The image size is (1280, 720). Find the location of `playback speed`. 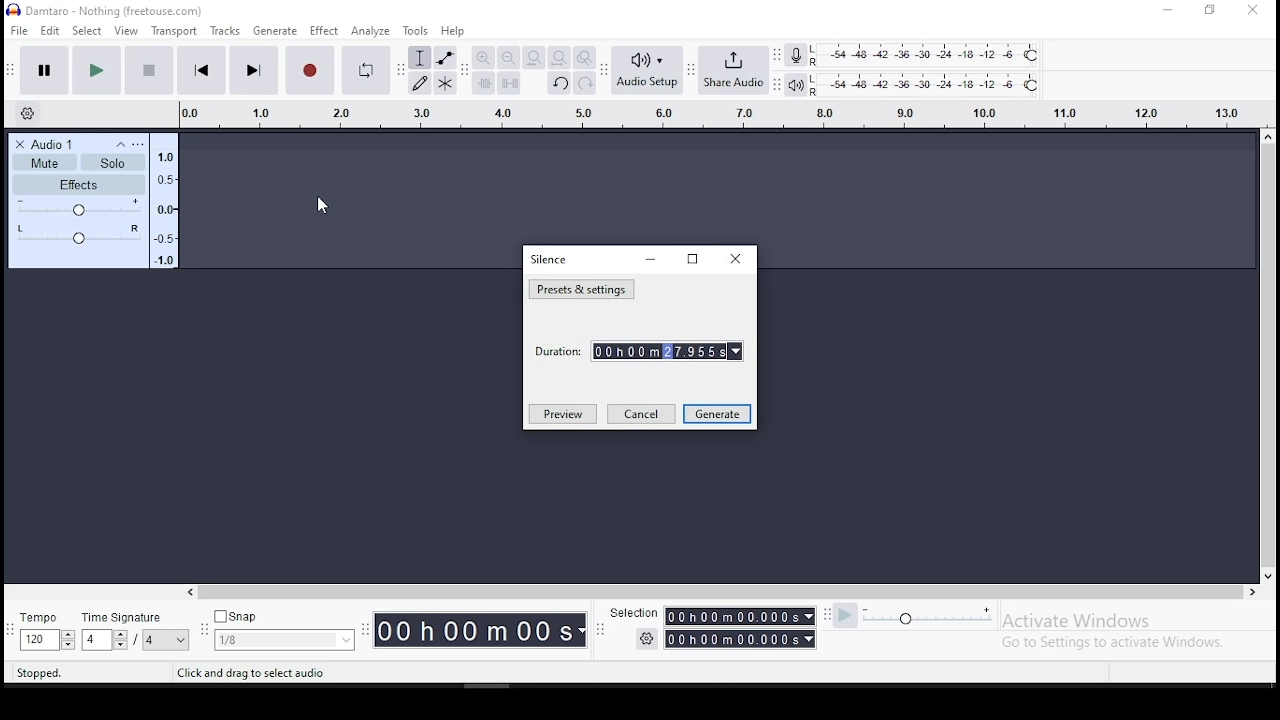

playback speed is located at coordinates (925, 619).